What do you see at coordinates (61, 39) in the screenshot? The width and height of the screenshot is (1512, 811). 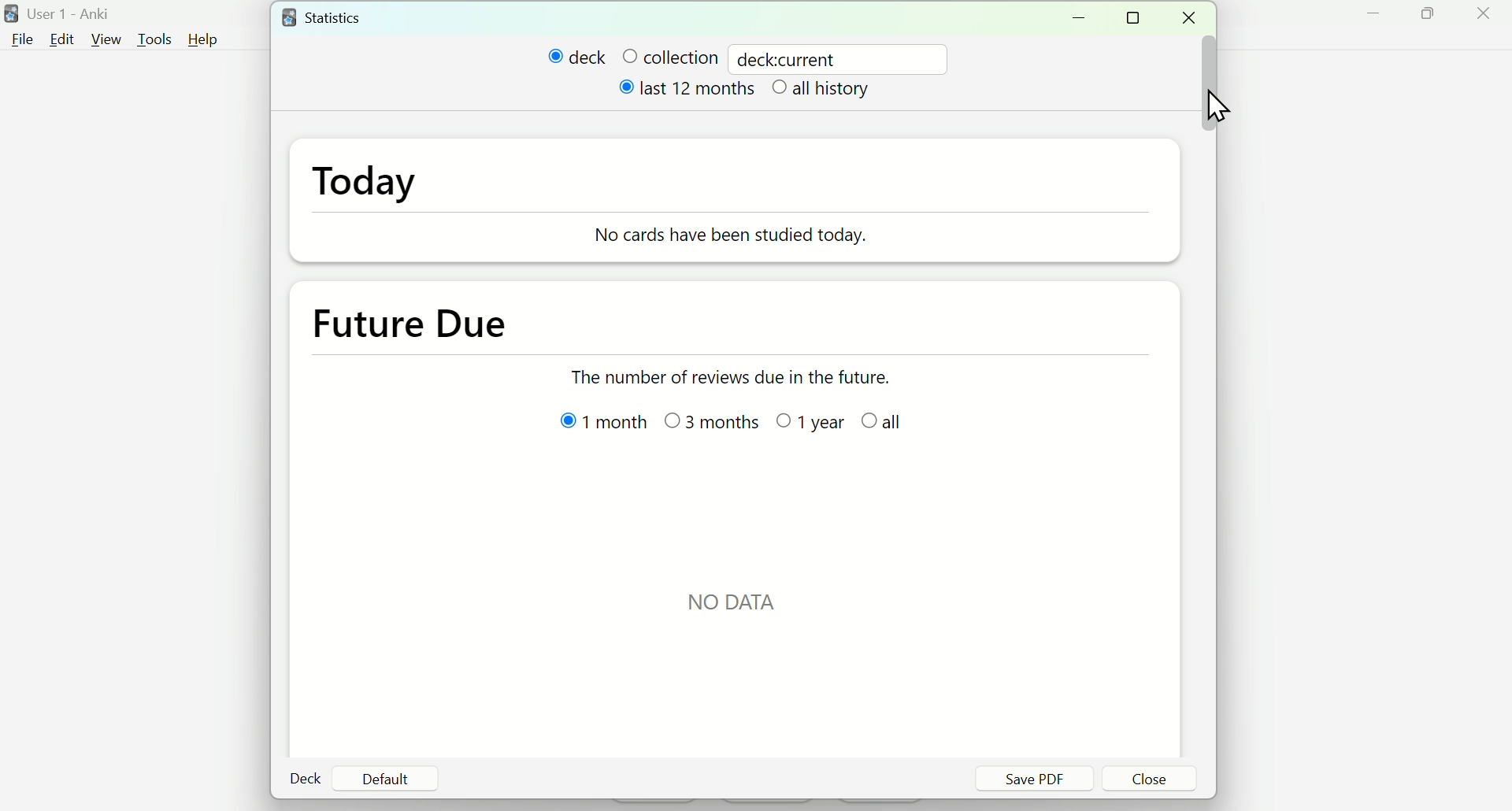 I see `Edit` at bounding box center [61, 39].